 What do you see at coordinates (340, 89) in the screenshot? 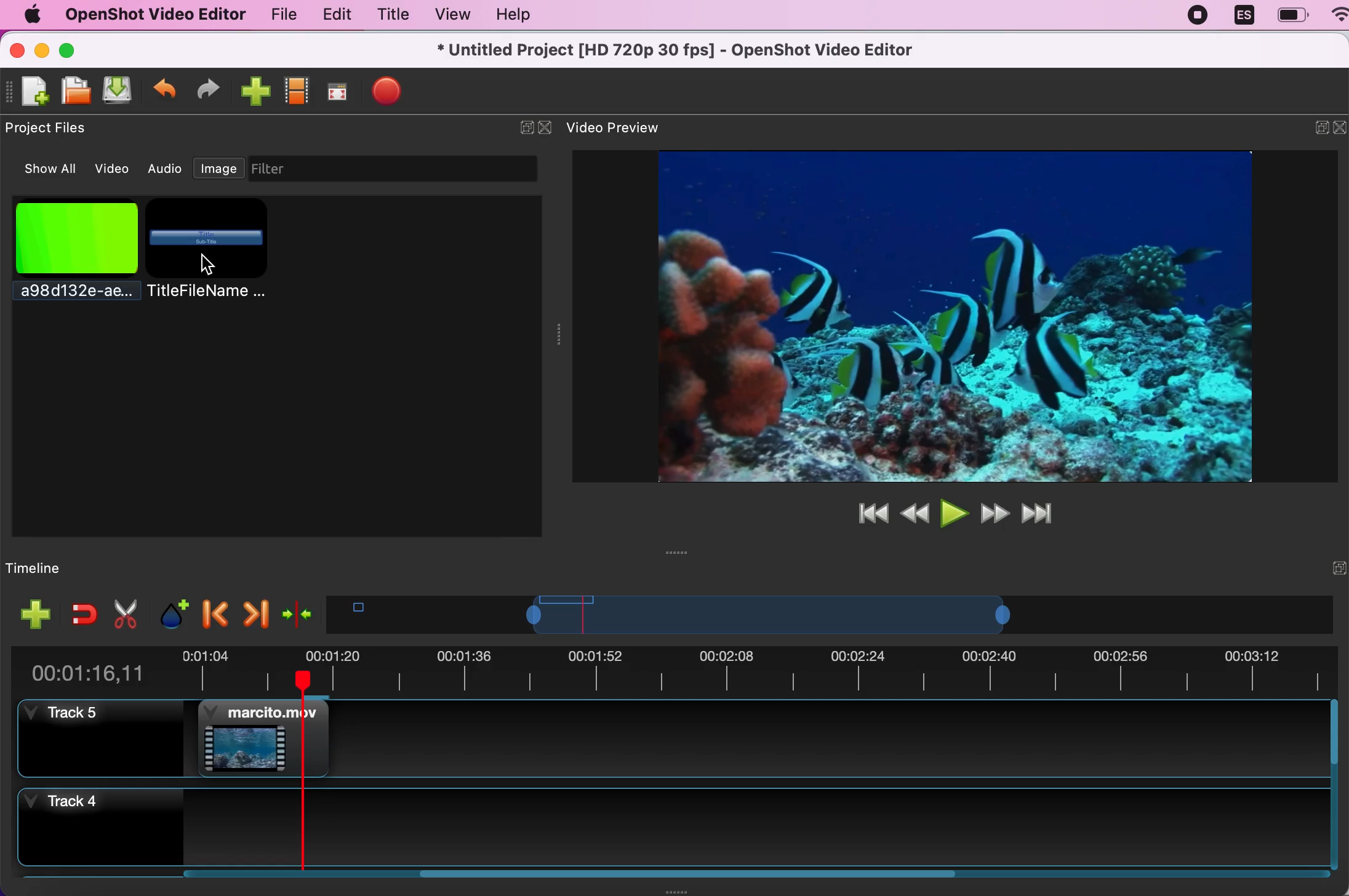
I see `full screen` at bounding box center [340, 89].